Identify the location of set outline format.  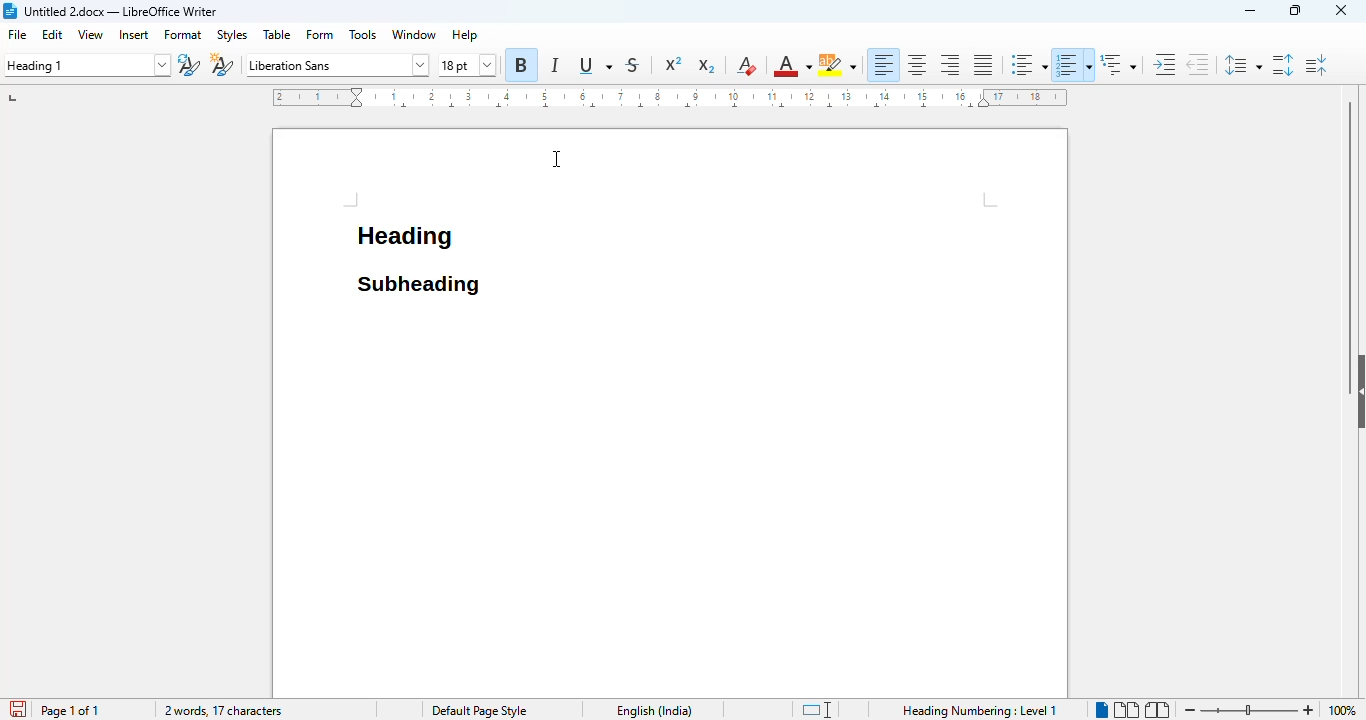
(1118, 64).